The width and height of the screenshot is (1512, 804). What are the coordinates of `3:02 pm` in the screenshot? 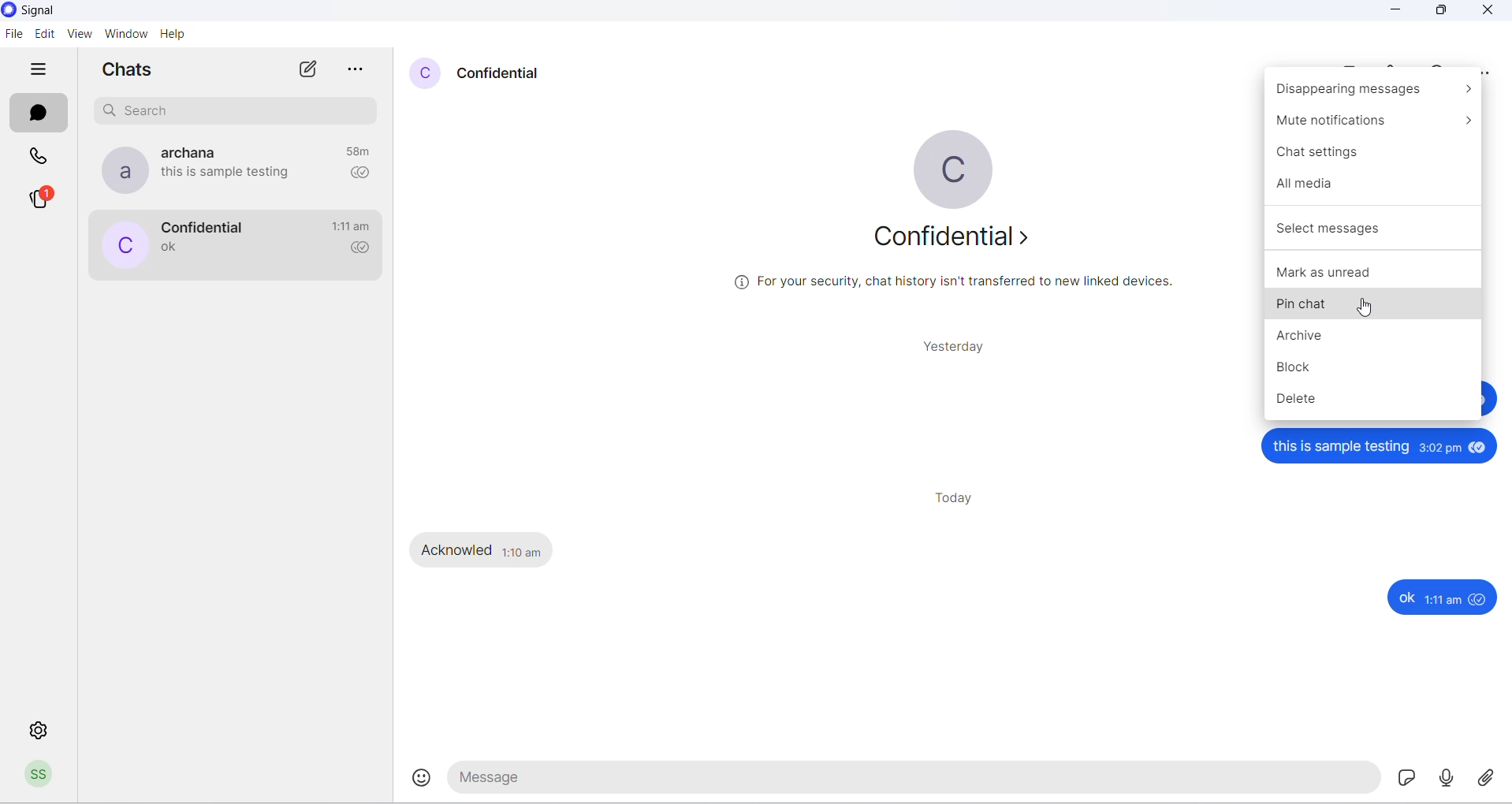 It's located at (1441, 449).